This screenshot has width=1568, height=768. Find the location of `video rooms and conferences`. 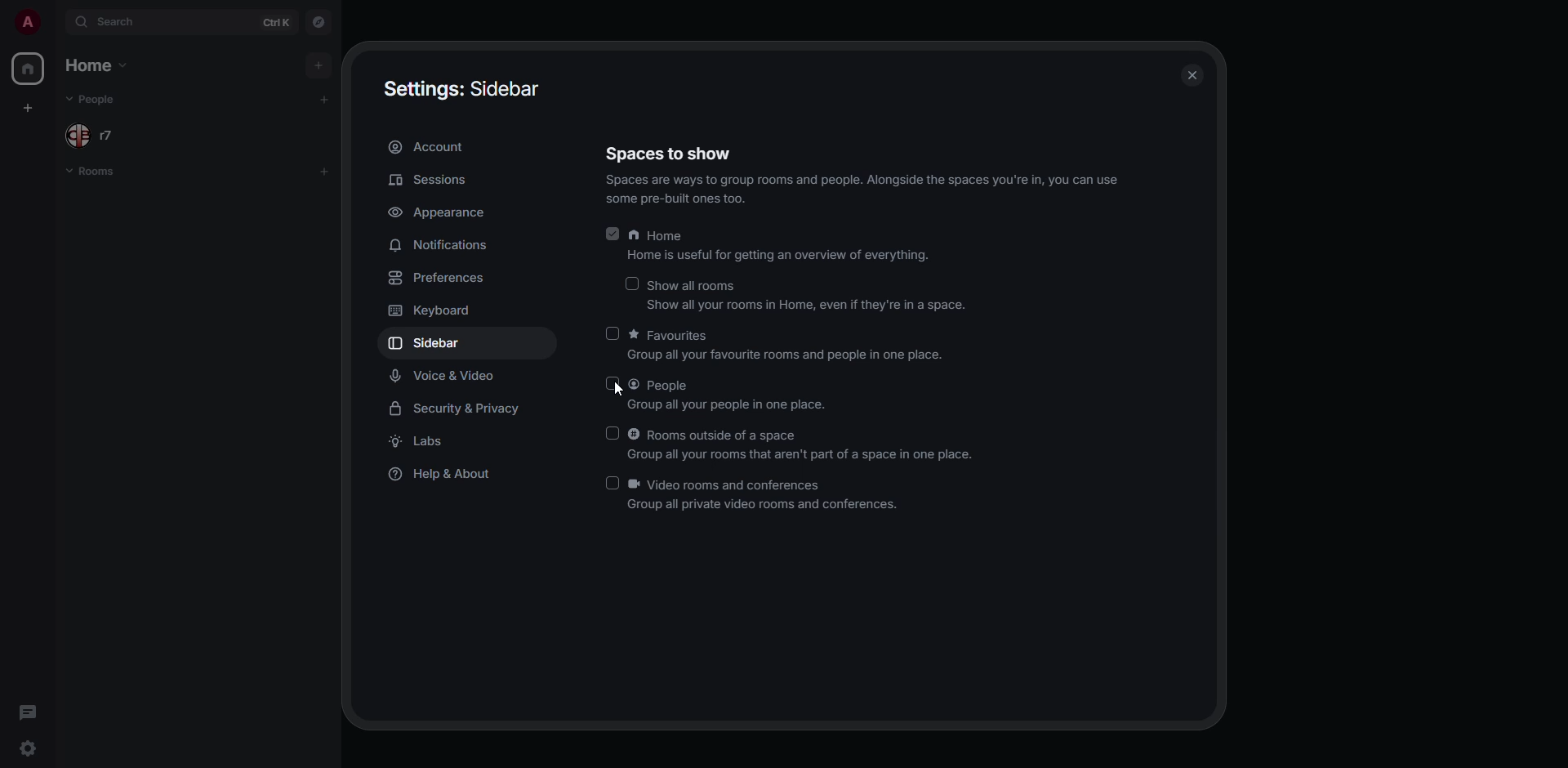

video rooms and conferences is located at coordinates (767, 493).